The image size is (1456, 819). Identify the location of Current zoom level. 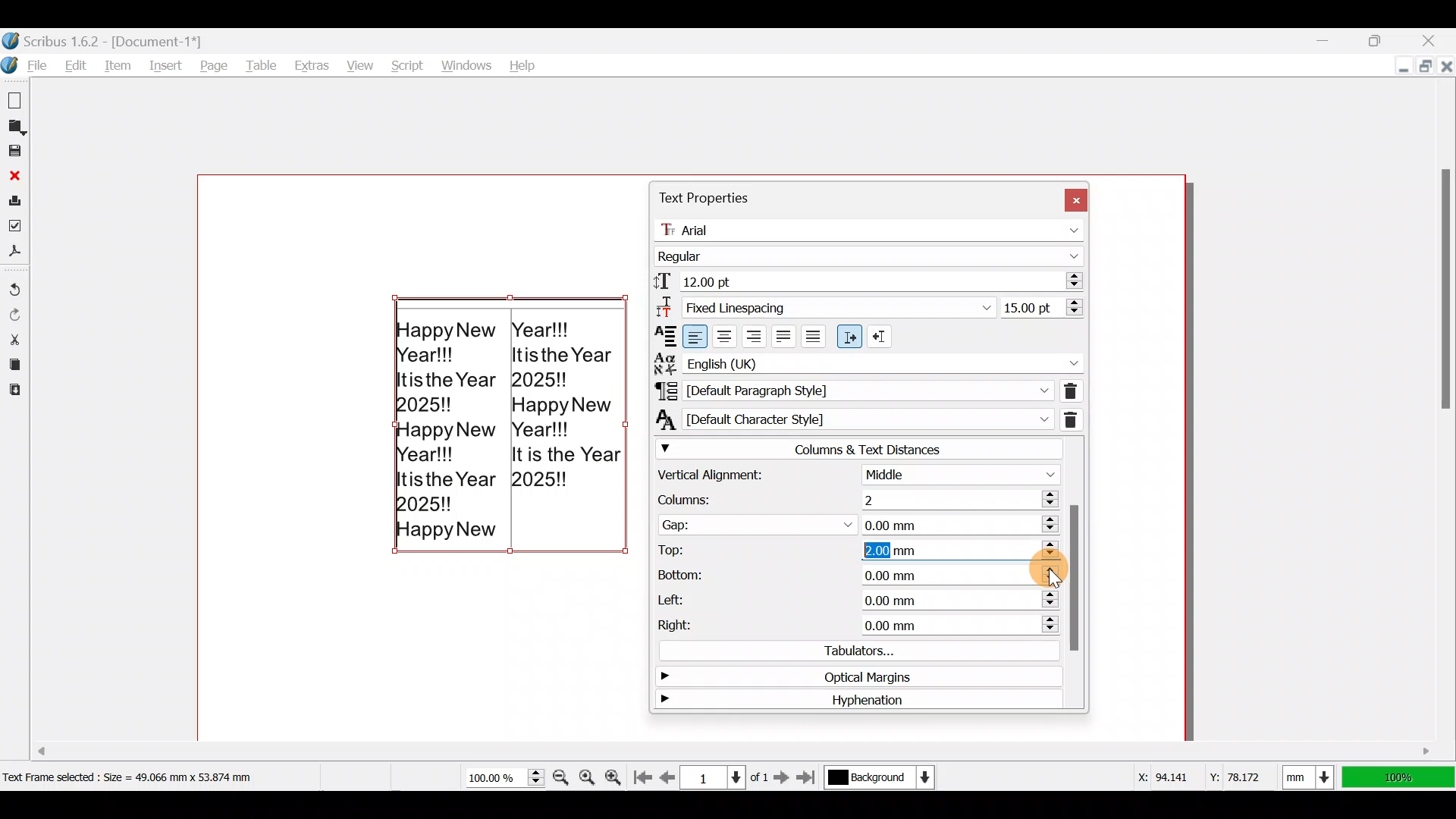
(504, 778).